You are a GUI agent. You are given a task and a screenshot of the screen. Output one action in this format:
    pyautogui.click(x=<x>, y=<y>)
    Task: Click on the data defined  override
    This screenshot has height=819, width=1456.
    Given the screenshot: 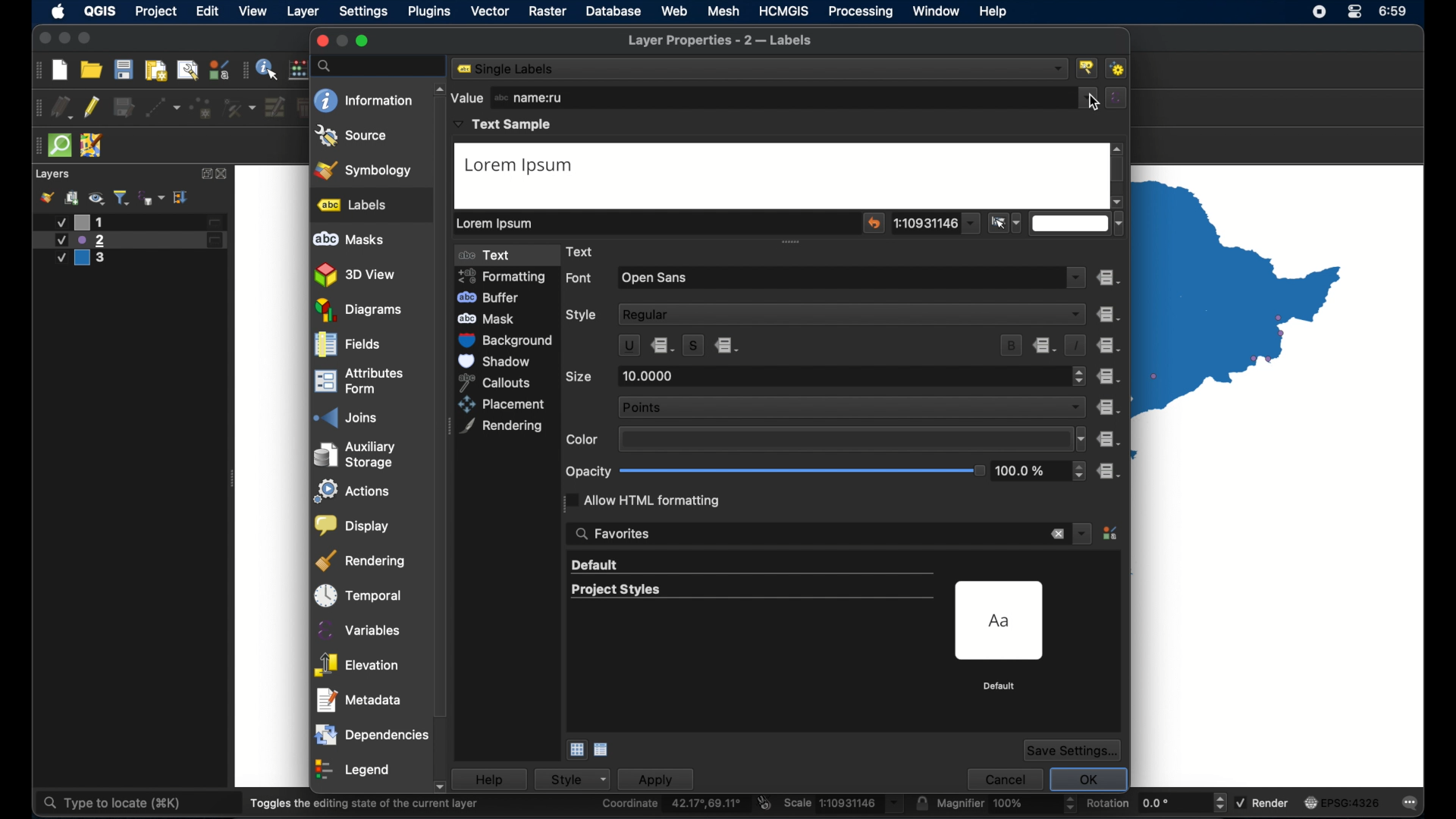 What is the action you would take?
    pyautogui.click(x=1110, y=471)
    